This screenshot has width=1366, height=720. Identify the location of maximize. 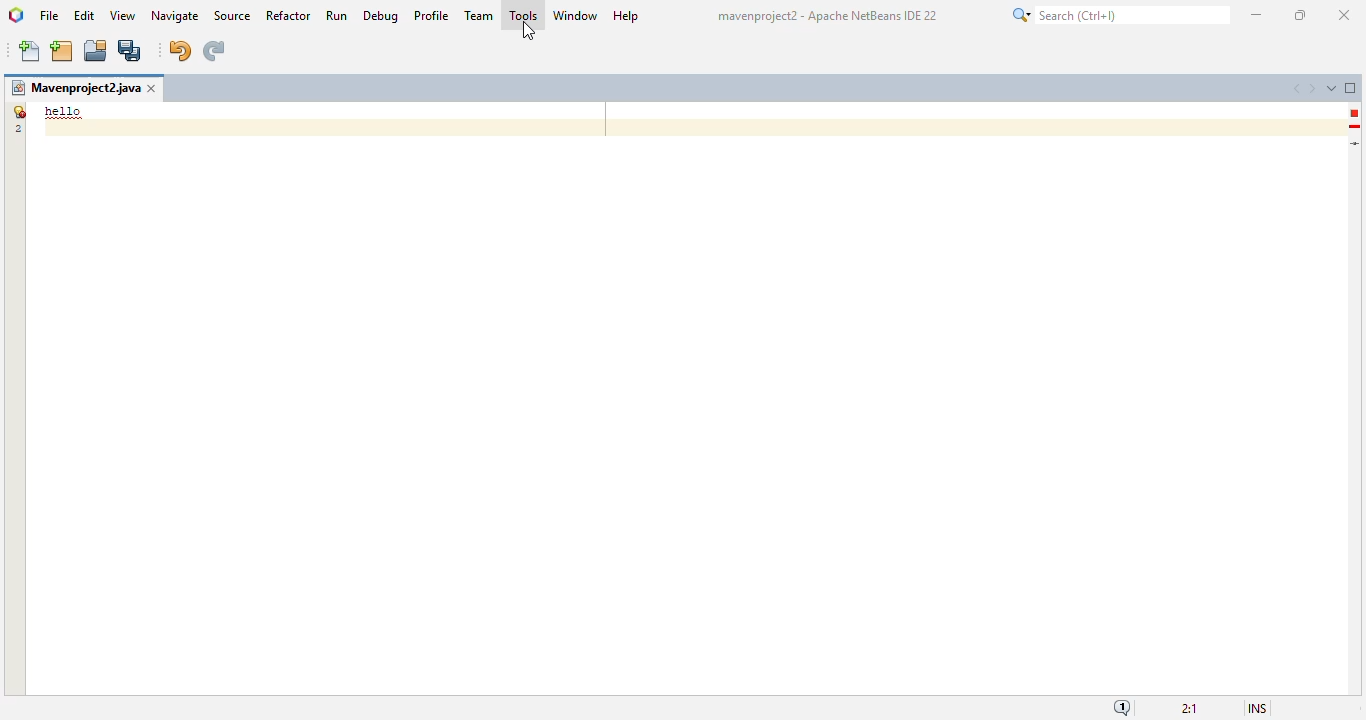
(1299, 15).